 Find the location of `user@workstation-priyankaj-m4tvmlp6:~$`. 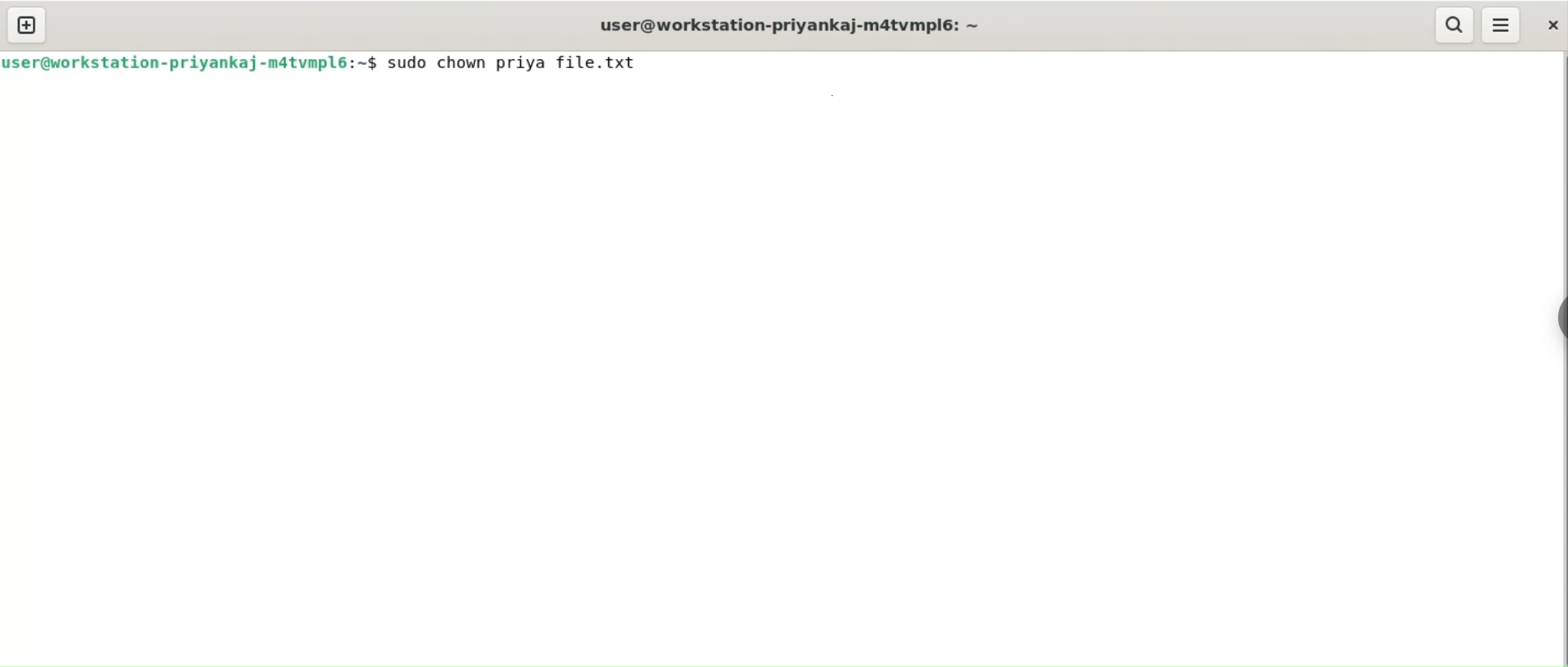

user@workstation-priyankaj-m4tvmlp6:~$ is located at coordinates (191, 62).